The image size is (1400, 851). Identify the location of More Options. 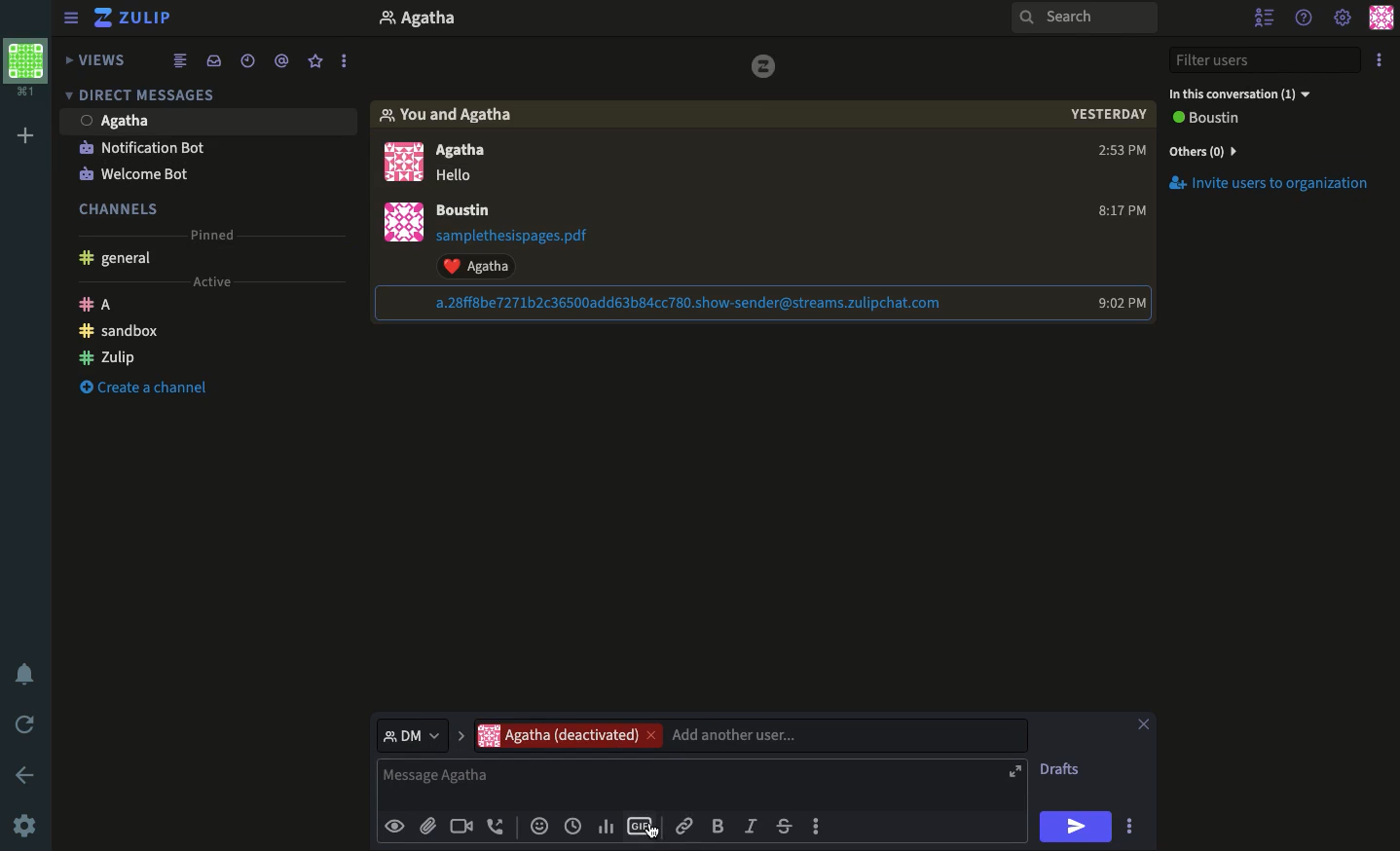
(827, 827).